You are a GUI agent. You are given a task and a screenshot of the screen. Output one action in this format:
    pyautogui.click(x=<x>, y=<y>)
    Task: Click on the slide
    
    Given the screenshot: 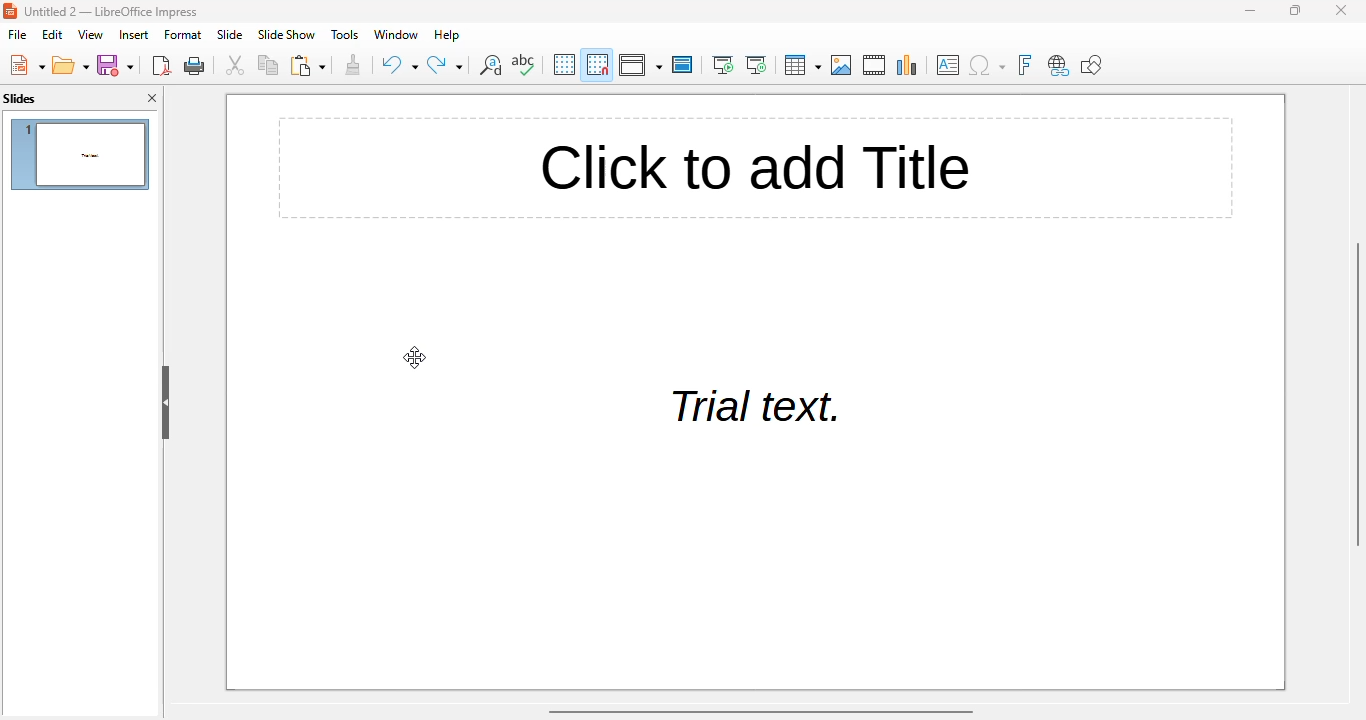 What is the action you would take?
    pyautogui.click(x=230, y=34)
    